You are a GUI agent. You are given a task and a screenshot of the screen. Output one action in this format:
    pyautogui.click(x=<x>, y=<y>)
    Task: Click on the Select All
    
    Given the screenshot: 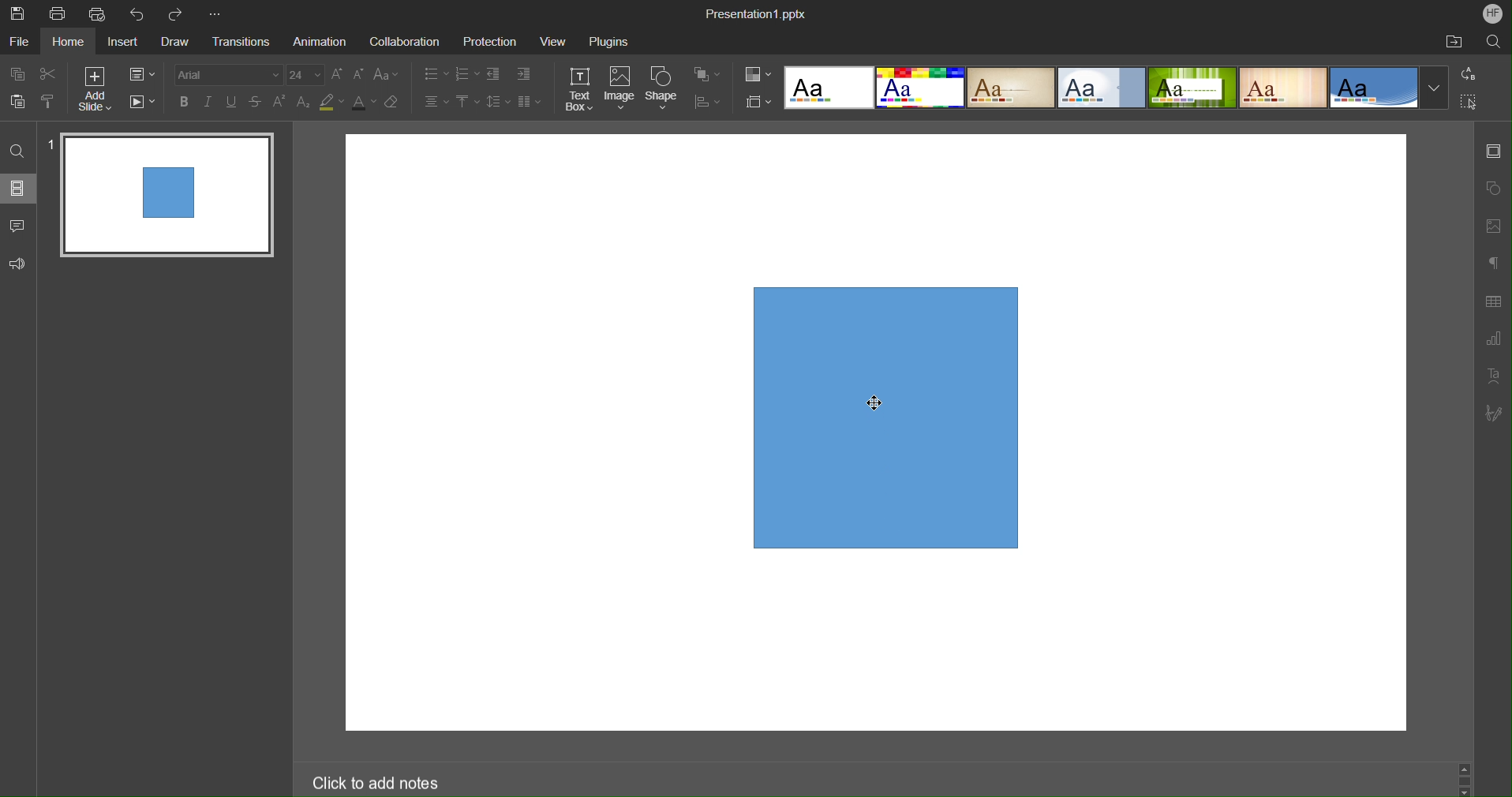 What is the action you would take?
    pyautogui.click(x=1469, y=101)
    